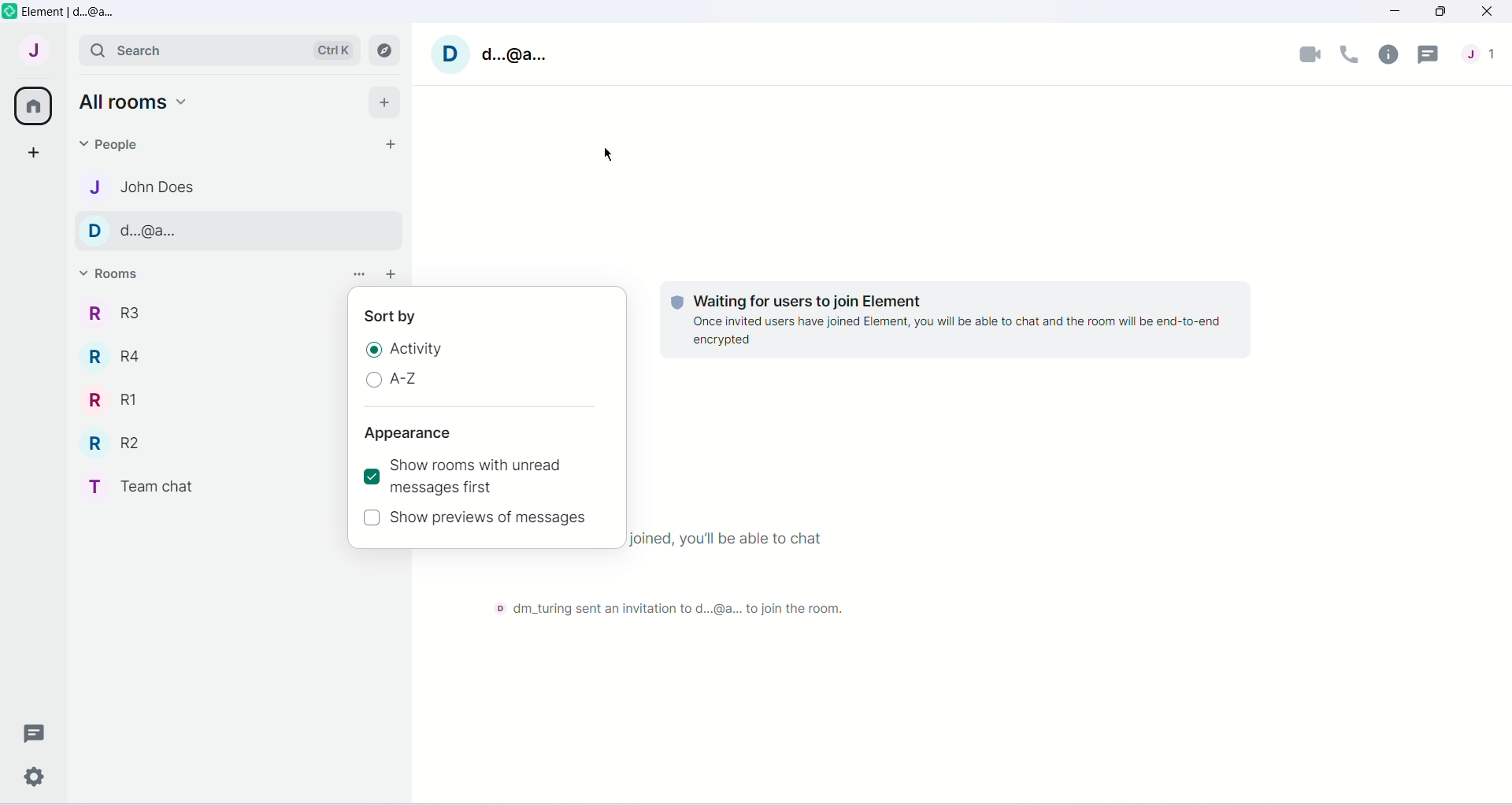 The width and height of the screenshot is (1512, 805). I want to click on once everyone has joined,you'll be able to chat, so click(732, 541).